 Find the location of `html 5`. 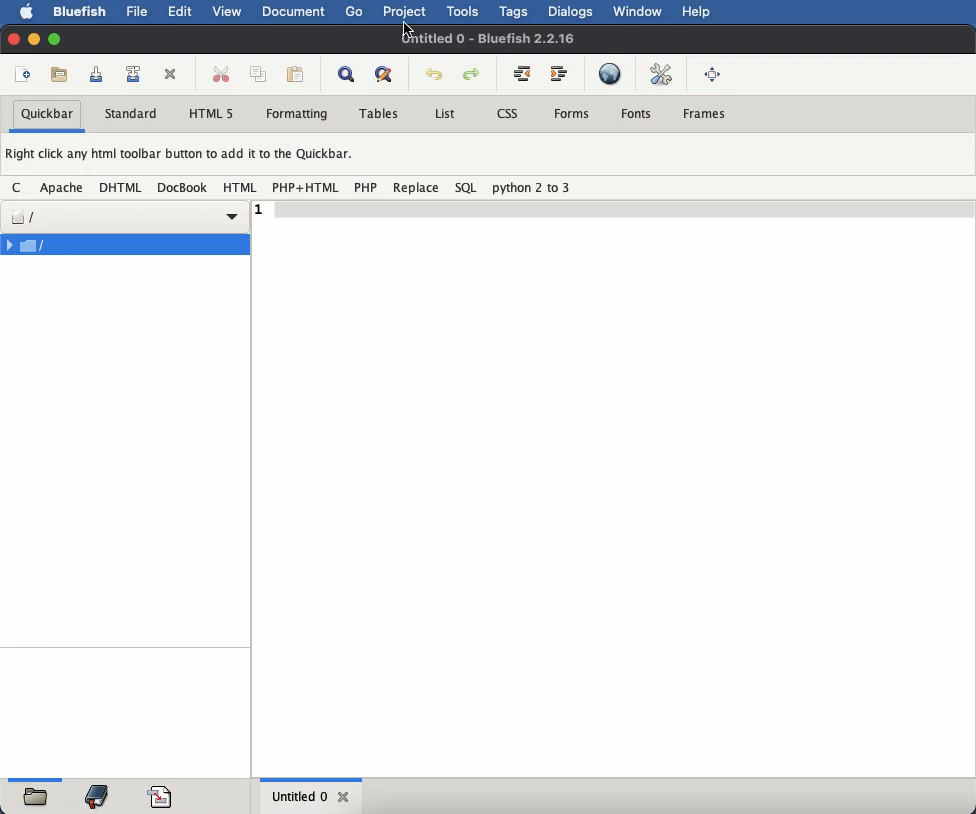

html 5 is located at coordinates (211, 113).